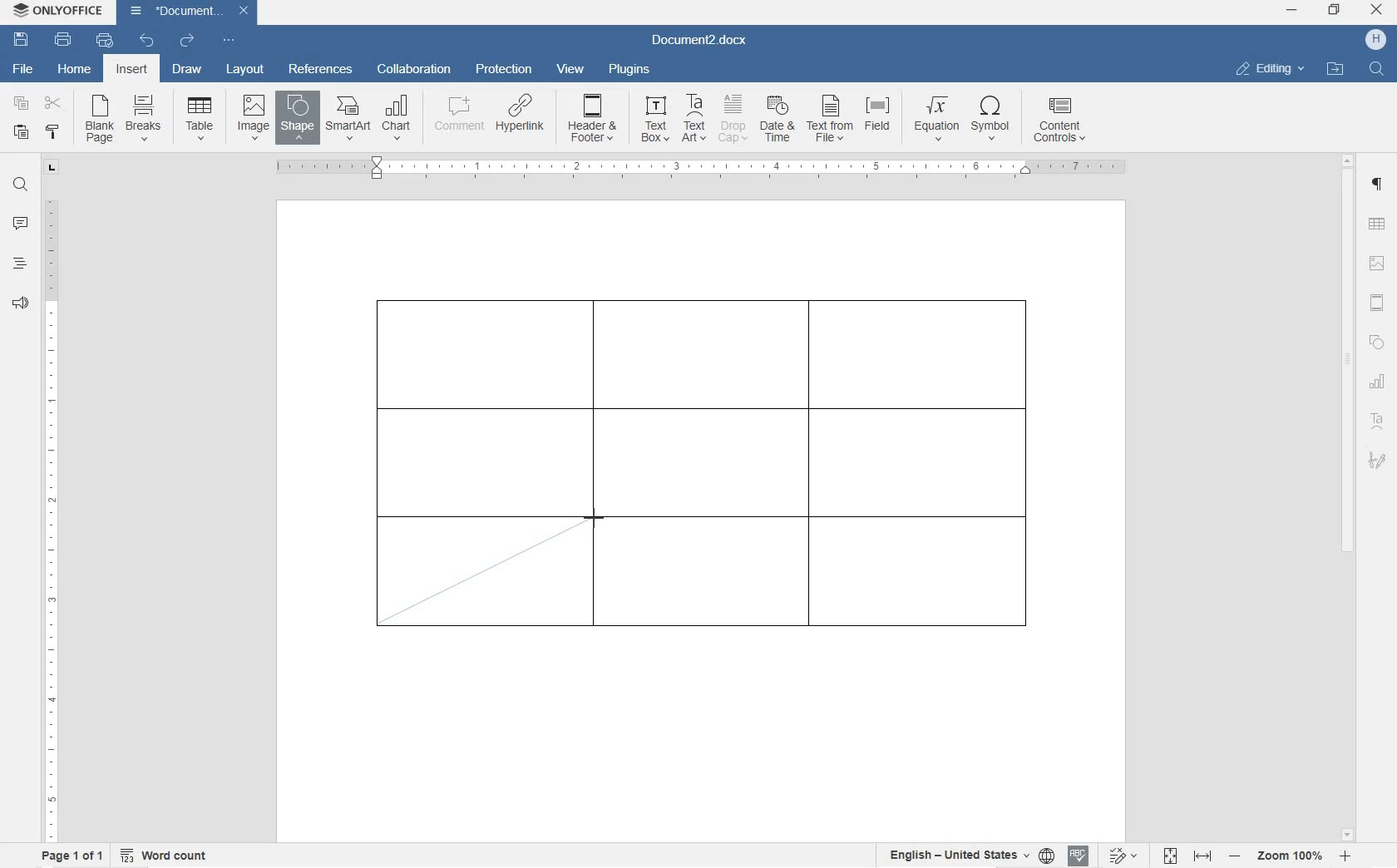 This screenshot has height=868, width=1397. I want to click on ruler, so click(752, 170).